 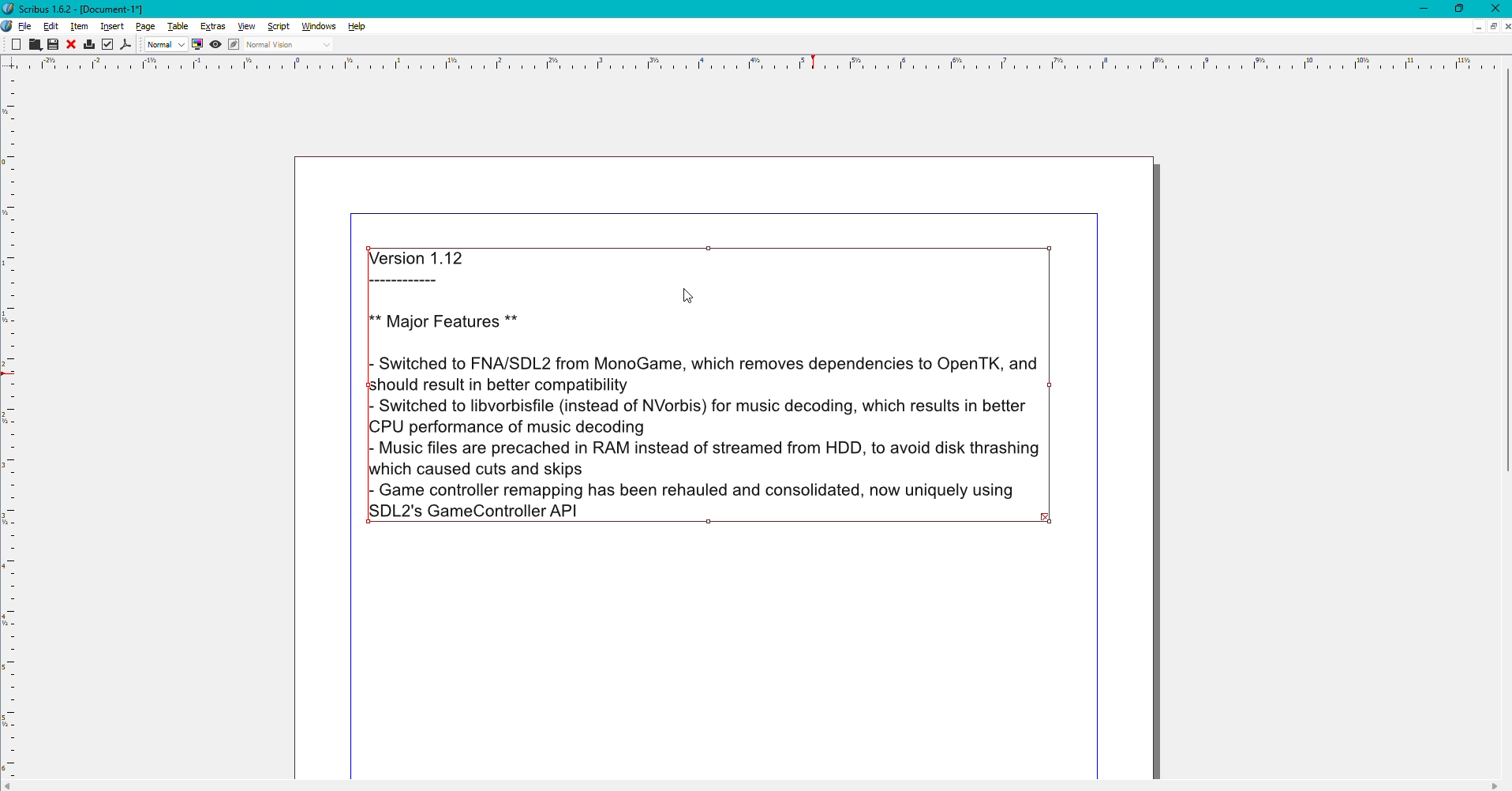 What do you see at coordinates (246, 27) in the screenshot?
I see `View` at bounding box center [246, 27].